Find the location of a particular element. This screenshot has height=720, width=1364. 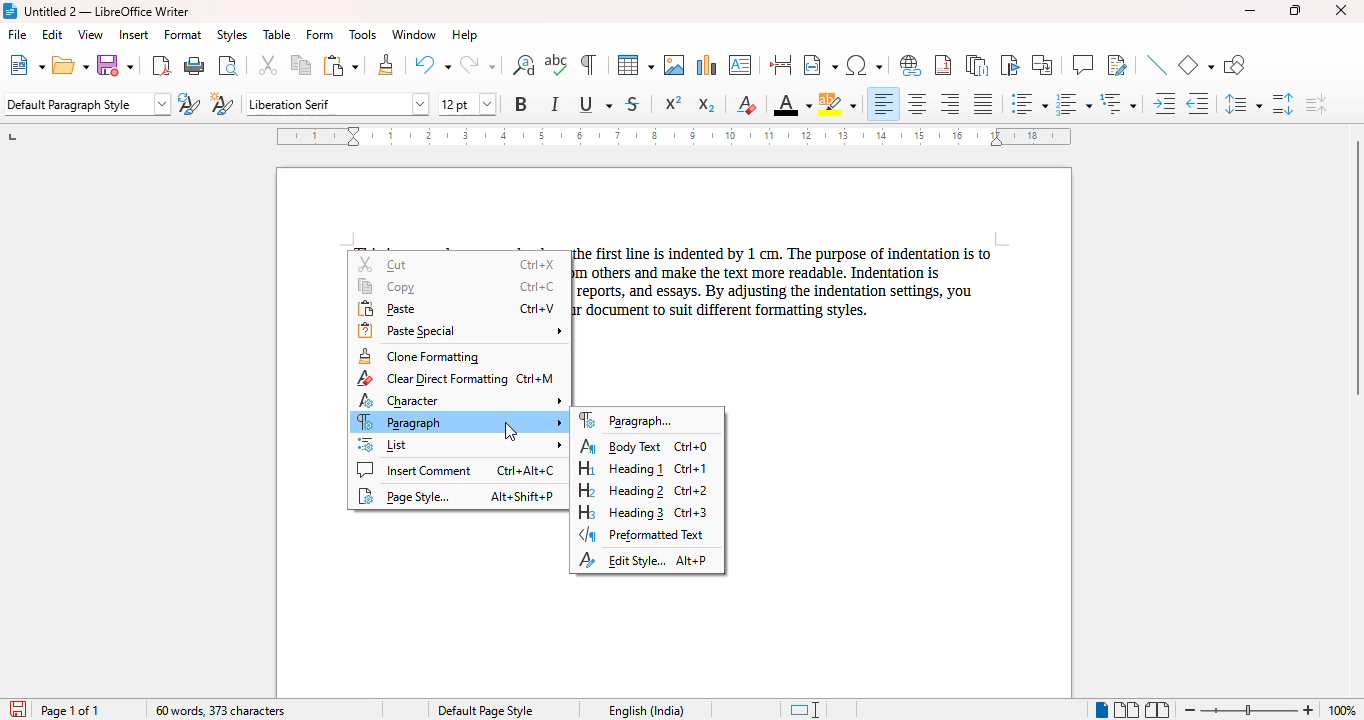

insert field is located at coordinates (819, 65).